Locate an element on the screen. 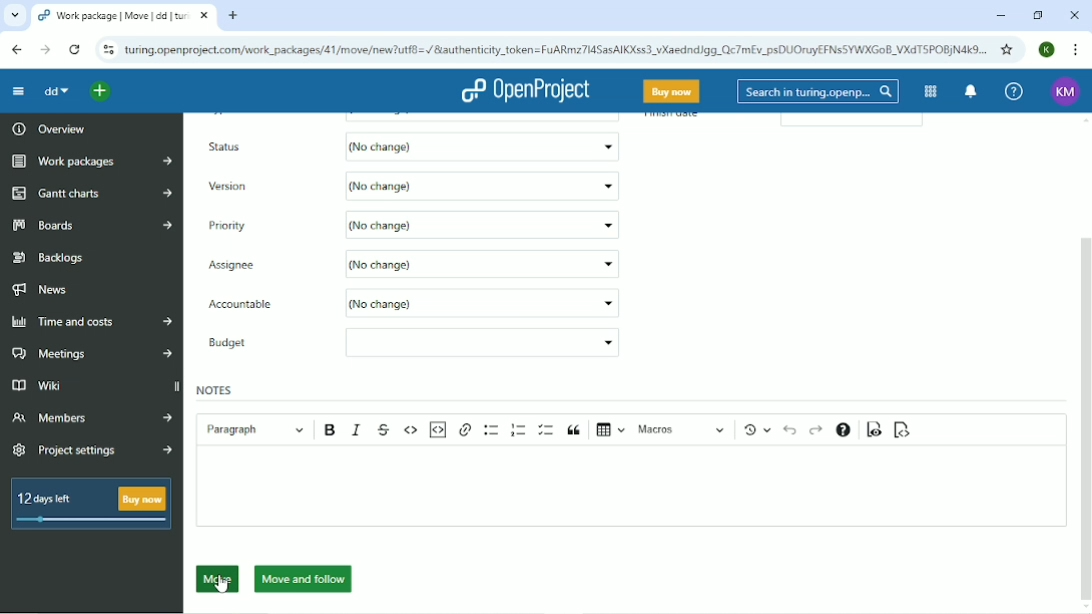 Image resolution: width=1092 pixels, height=614 pixels. Insert code snippet is located at coordinates (437, 429).